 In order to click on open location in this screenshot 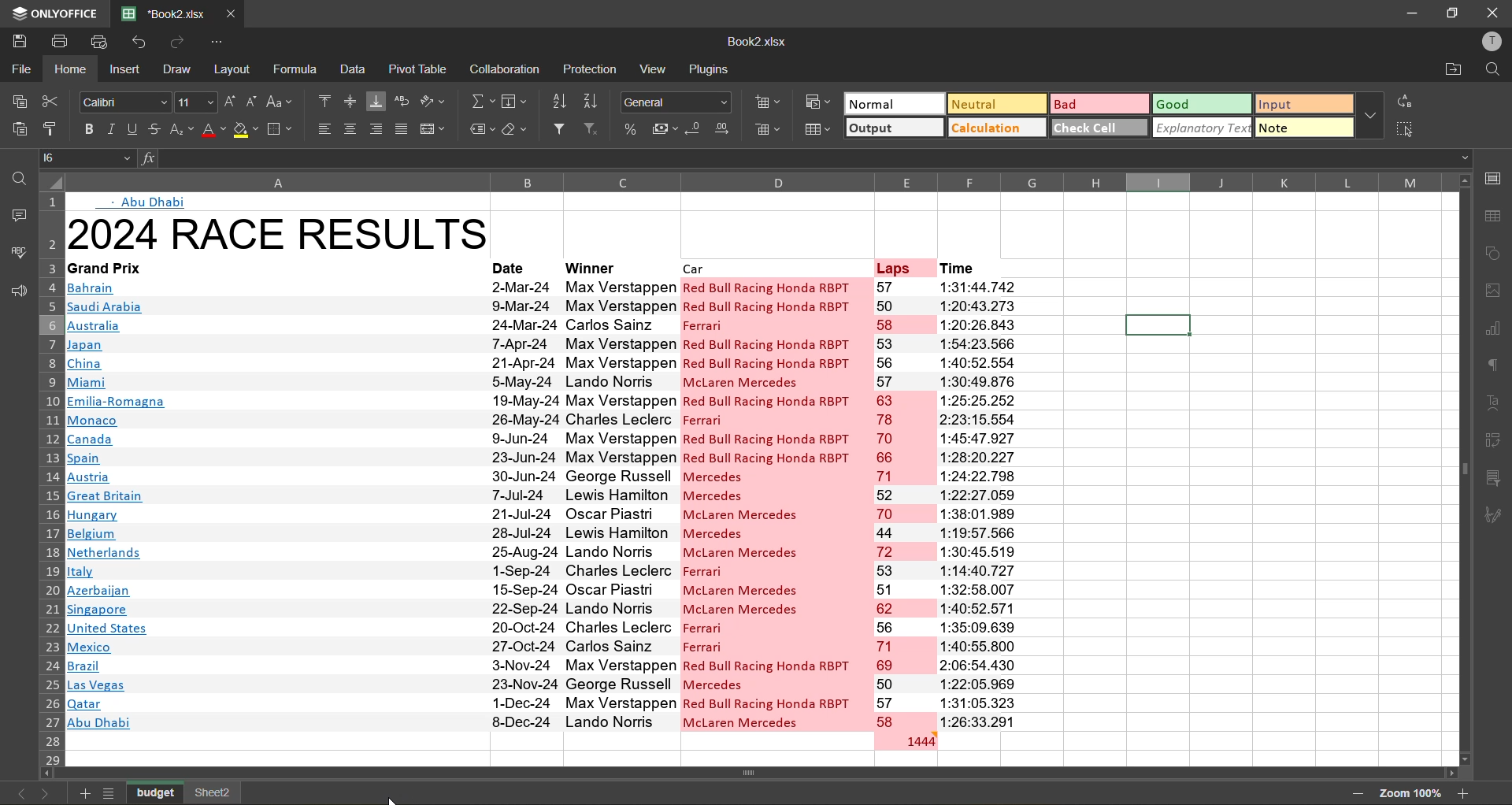, I will do `click(1446, 72)`.